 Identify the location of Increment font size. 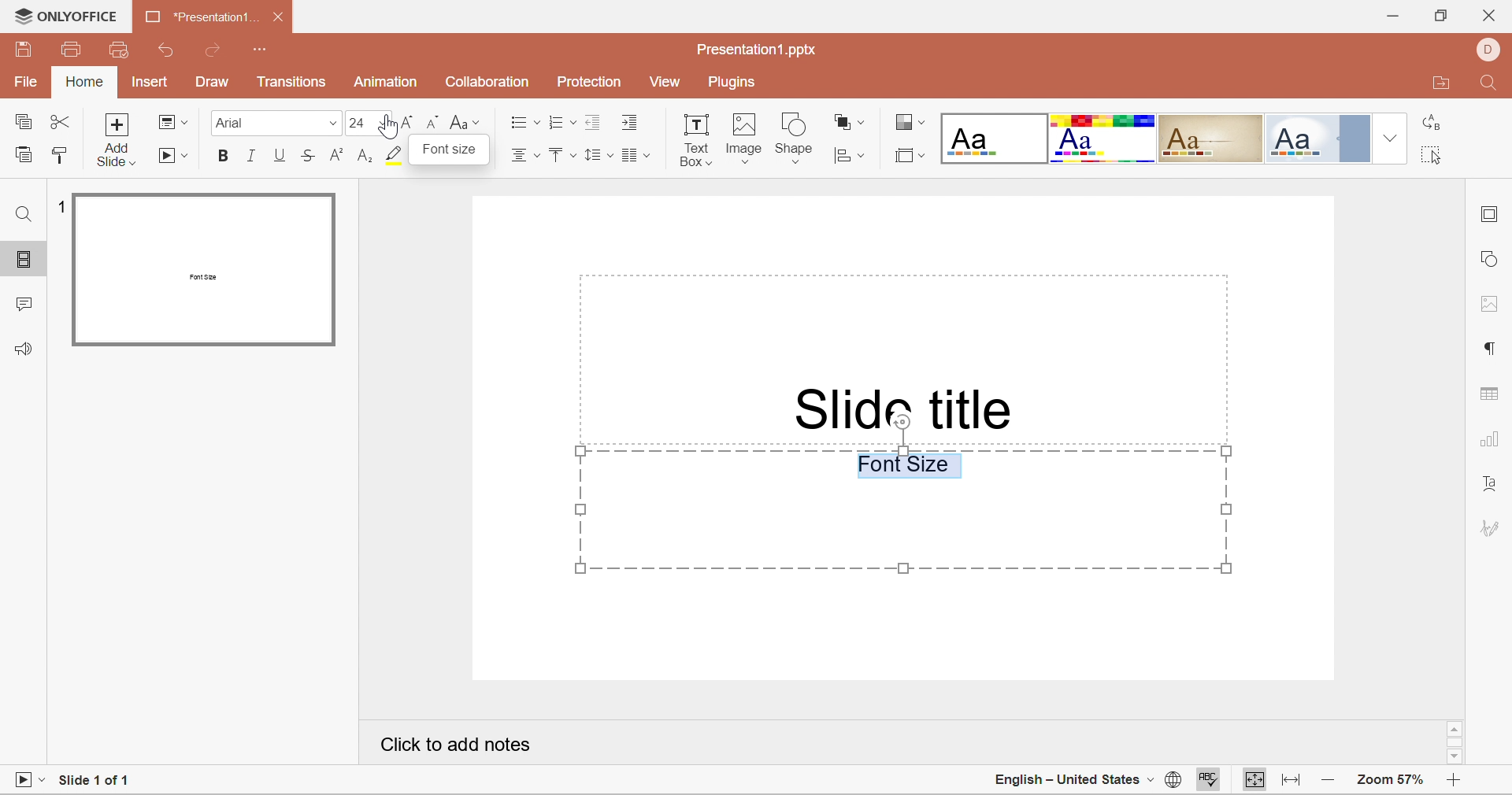
(409, 122).